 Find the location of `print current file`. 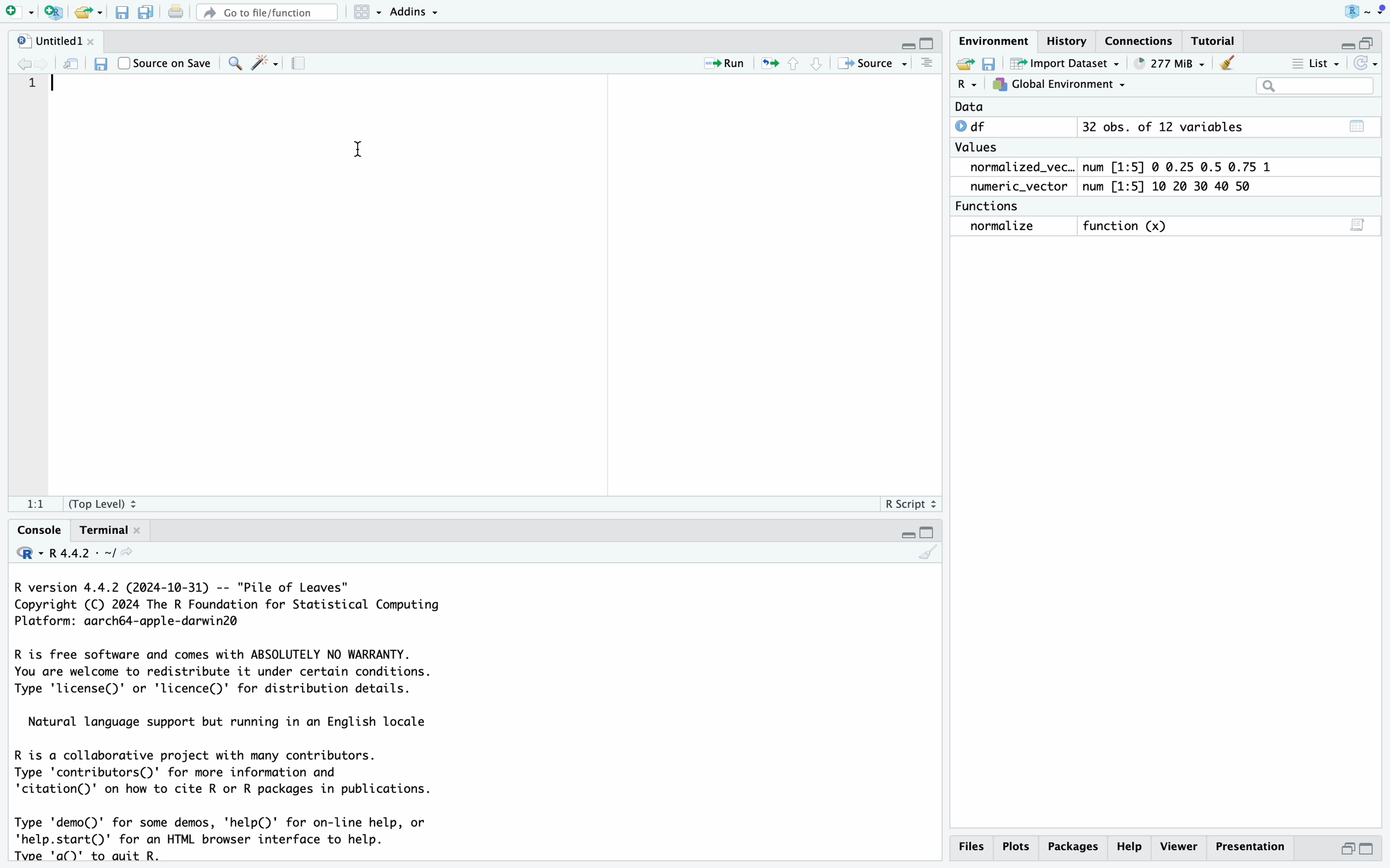

print current file is located at coordinates (176, 13).